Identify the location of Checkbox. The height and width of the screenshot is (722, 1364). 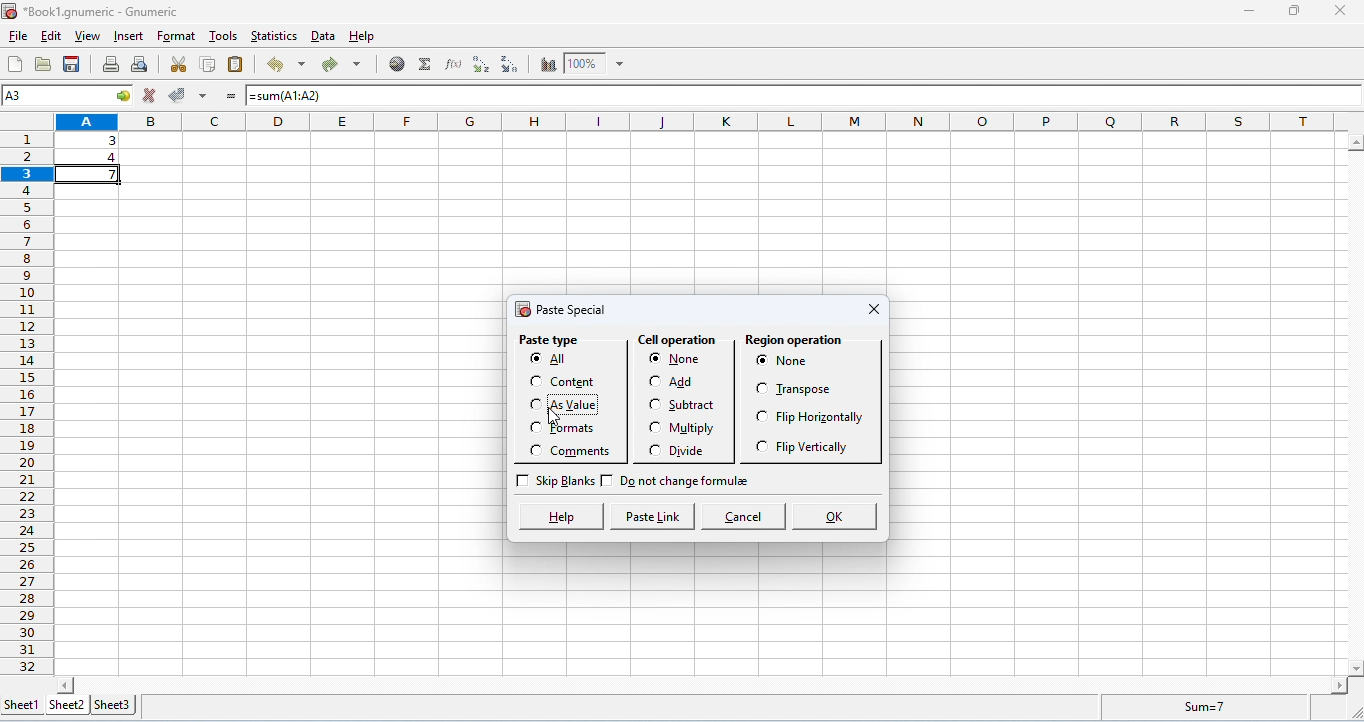
(520, 481).